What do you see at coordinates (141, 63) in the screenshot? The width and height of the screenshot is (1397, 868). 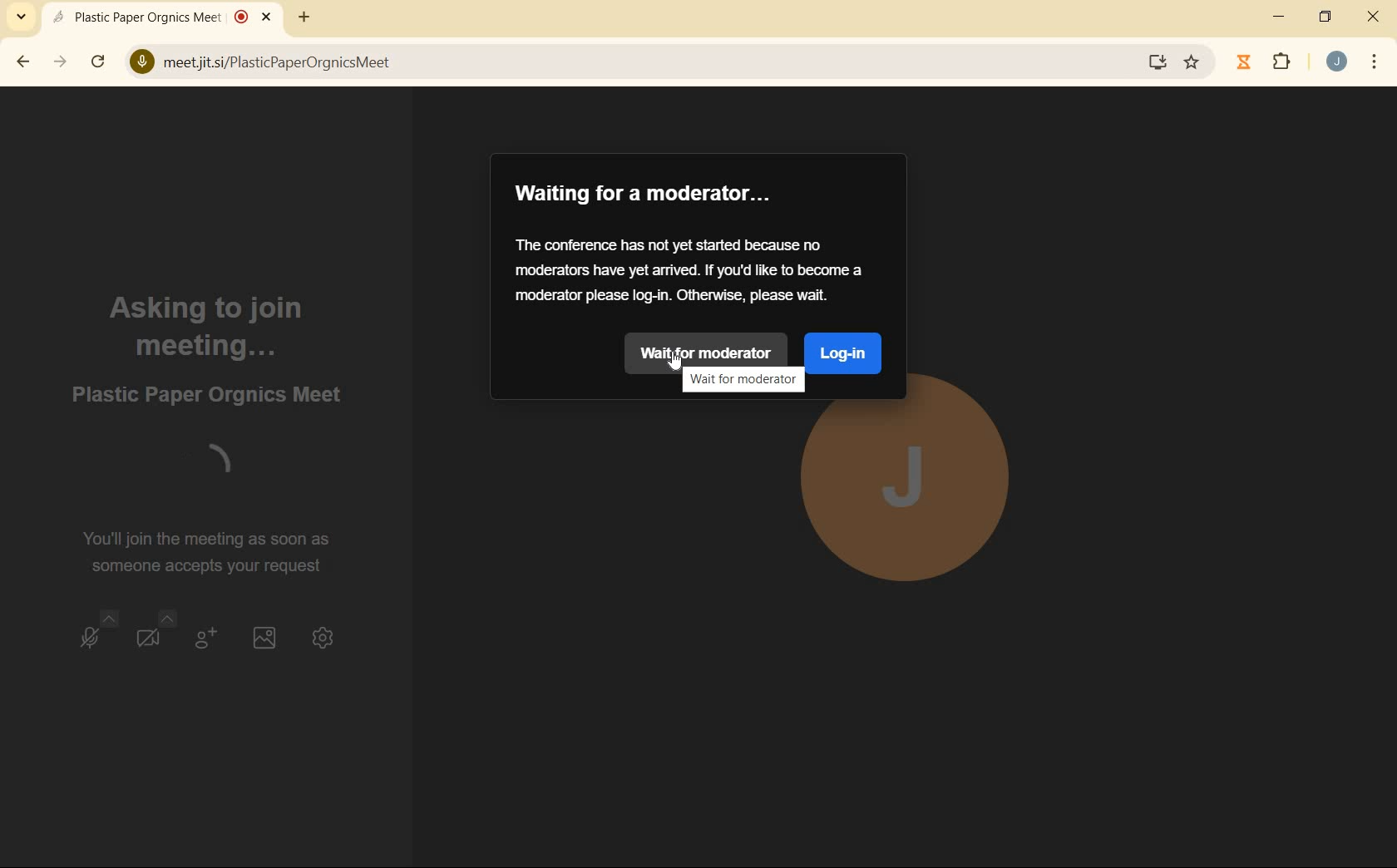 I see `View site information` at bounding box center [141, 63].